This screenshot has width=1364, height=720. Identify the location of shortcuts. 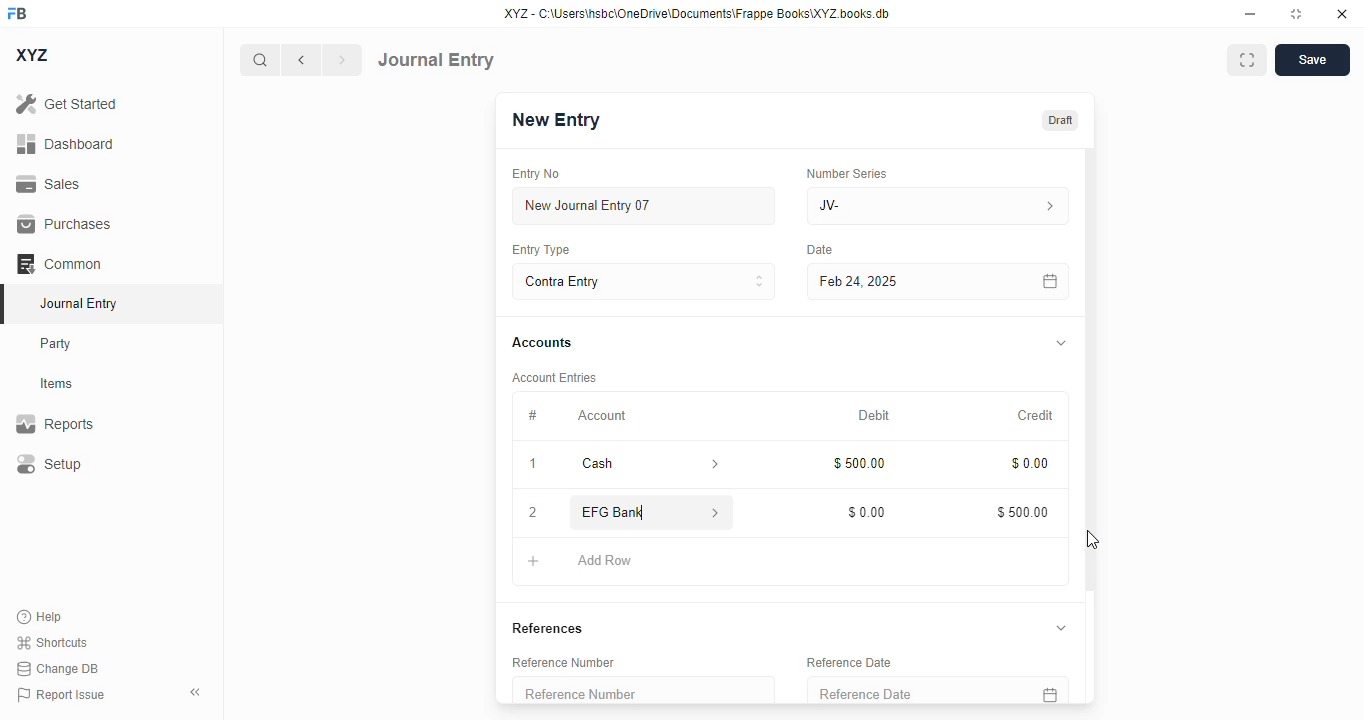
(52, 642).